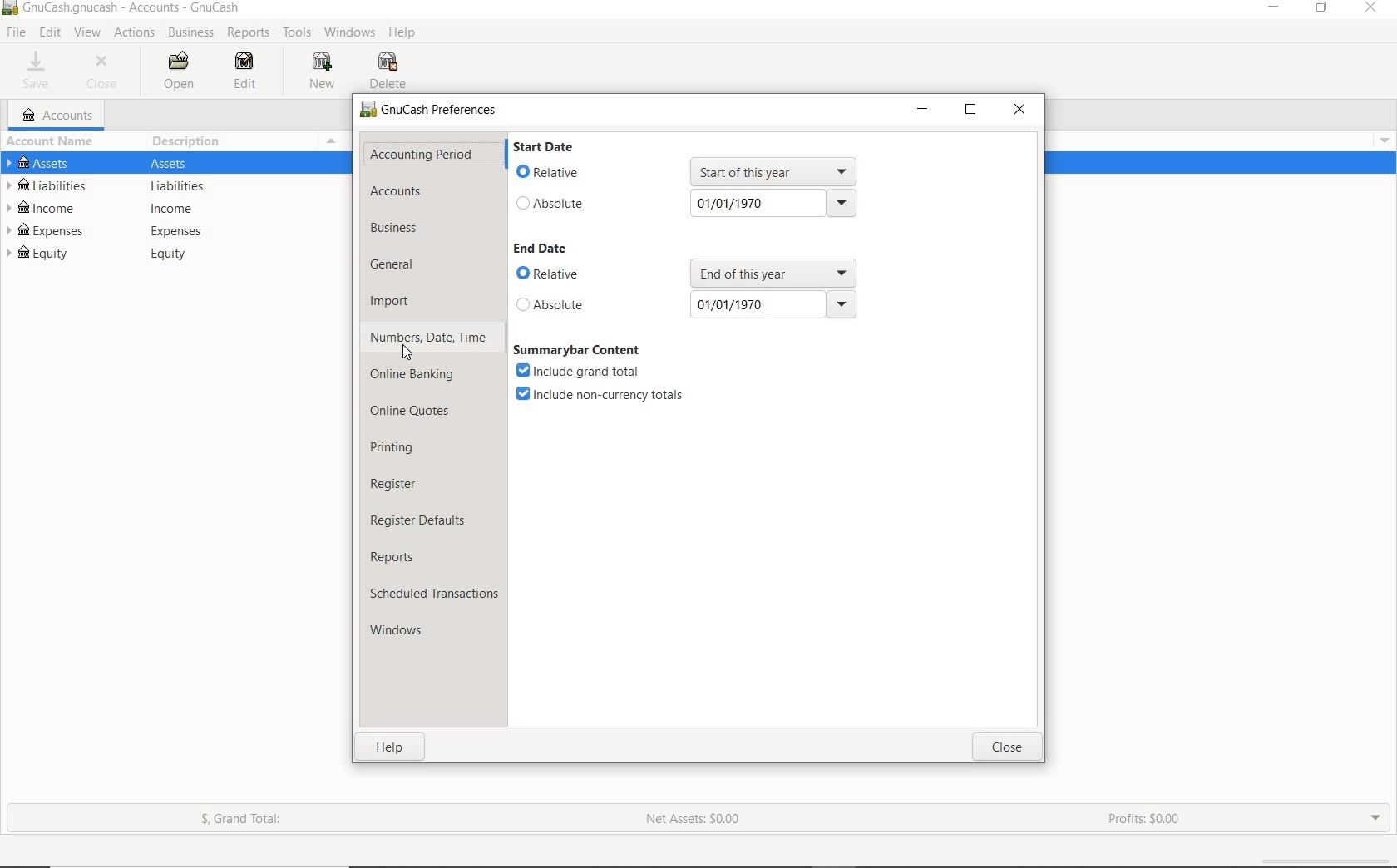 The height and width of the screenshot is (868, 1397). Describe the element at coordinates (53, 142) in the screenshot. I see `ACCOUNT NAME` at that location.